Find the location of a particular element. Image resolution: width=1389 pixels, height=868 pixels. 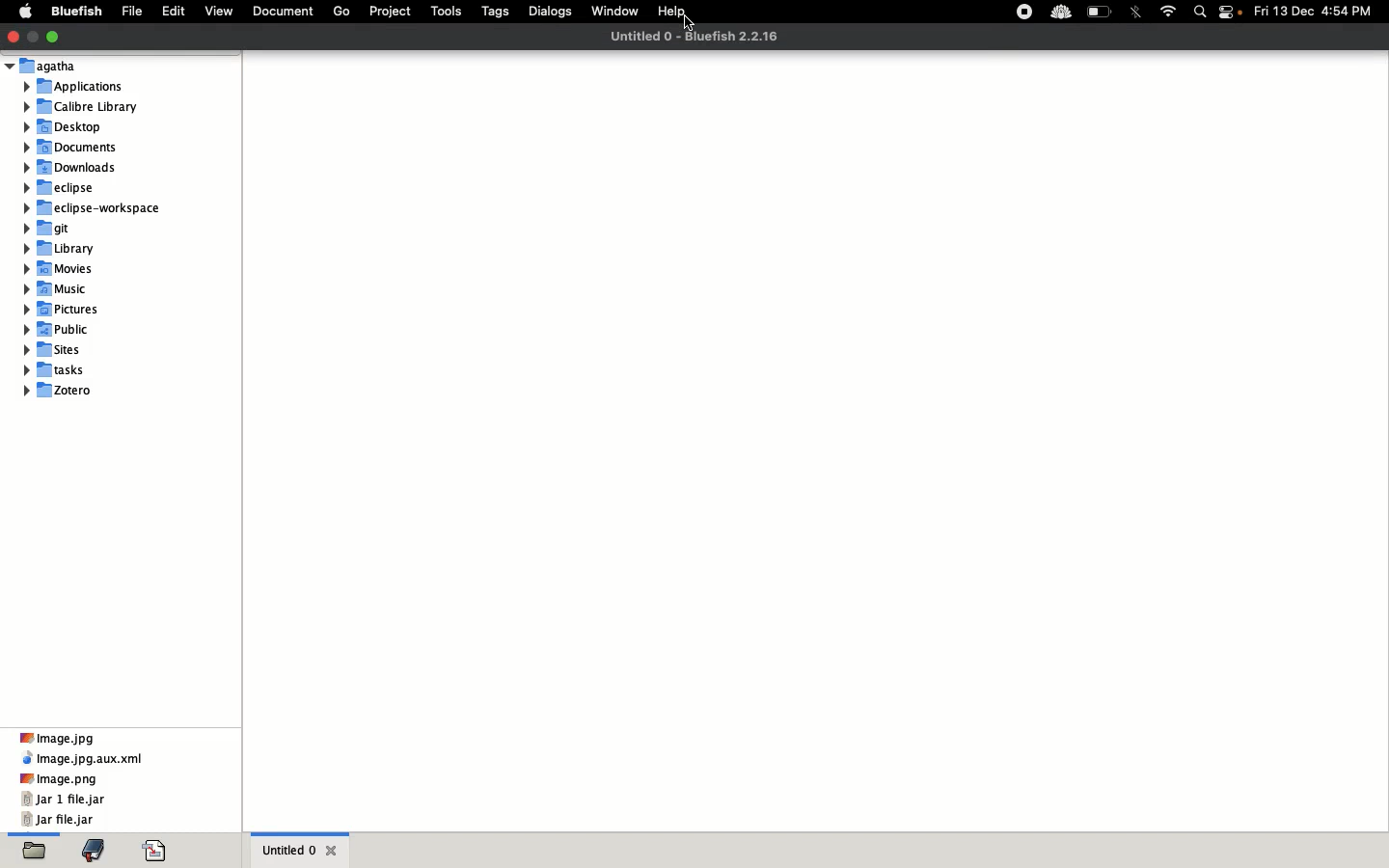

Dialogs is located at coordinates (551, 12).